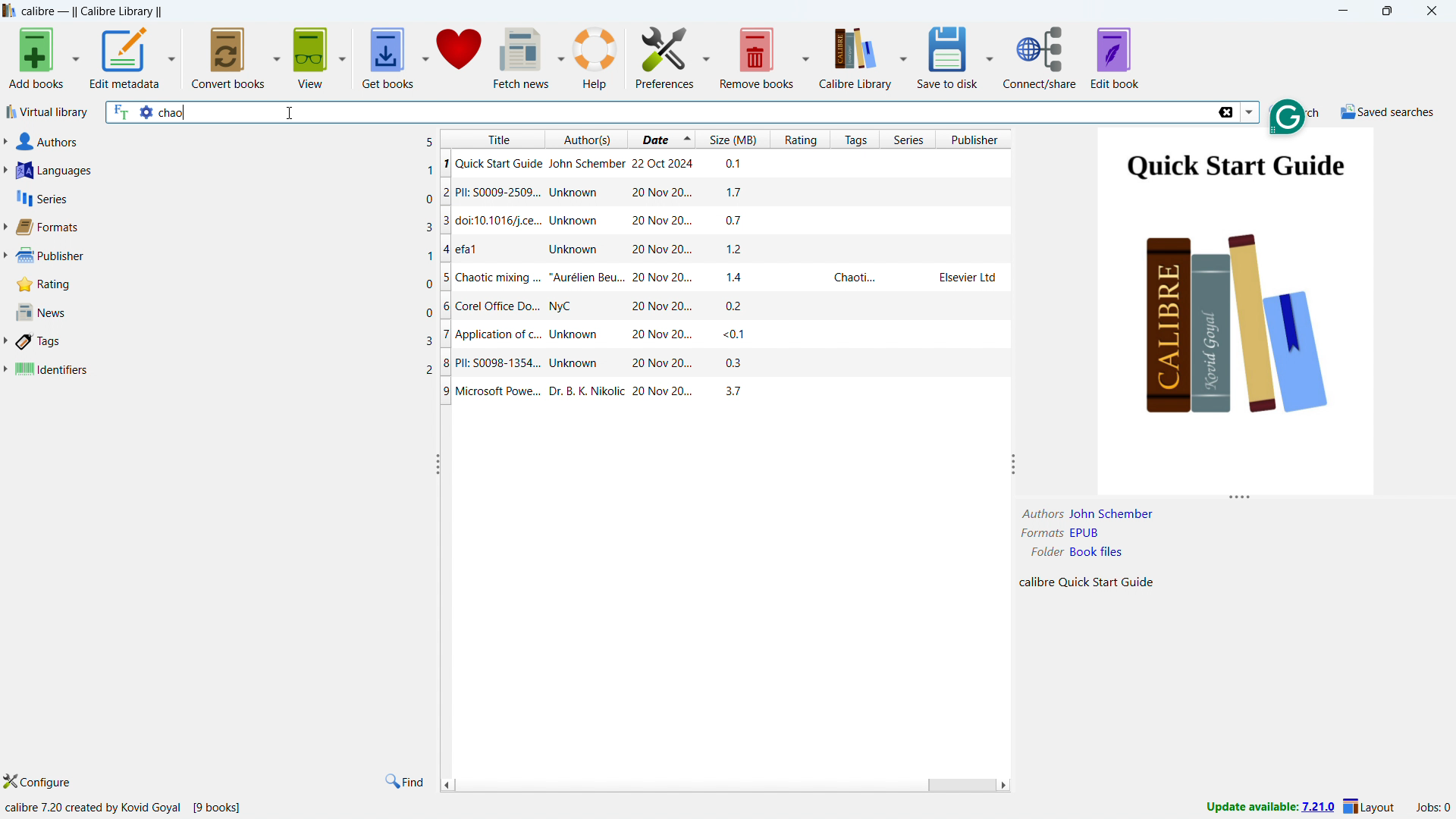 The width and height of the screenshot is (1456, 819). Describe the element at coordinates (1432, 10) in the screenshot. I see `close` at that location.